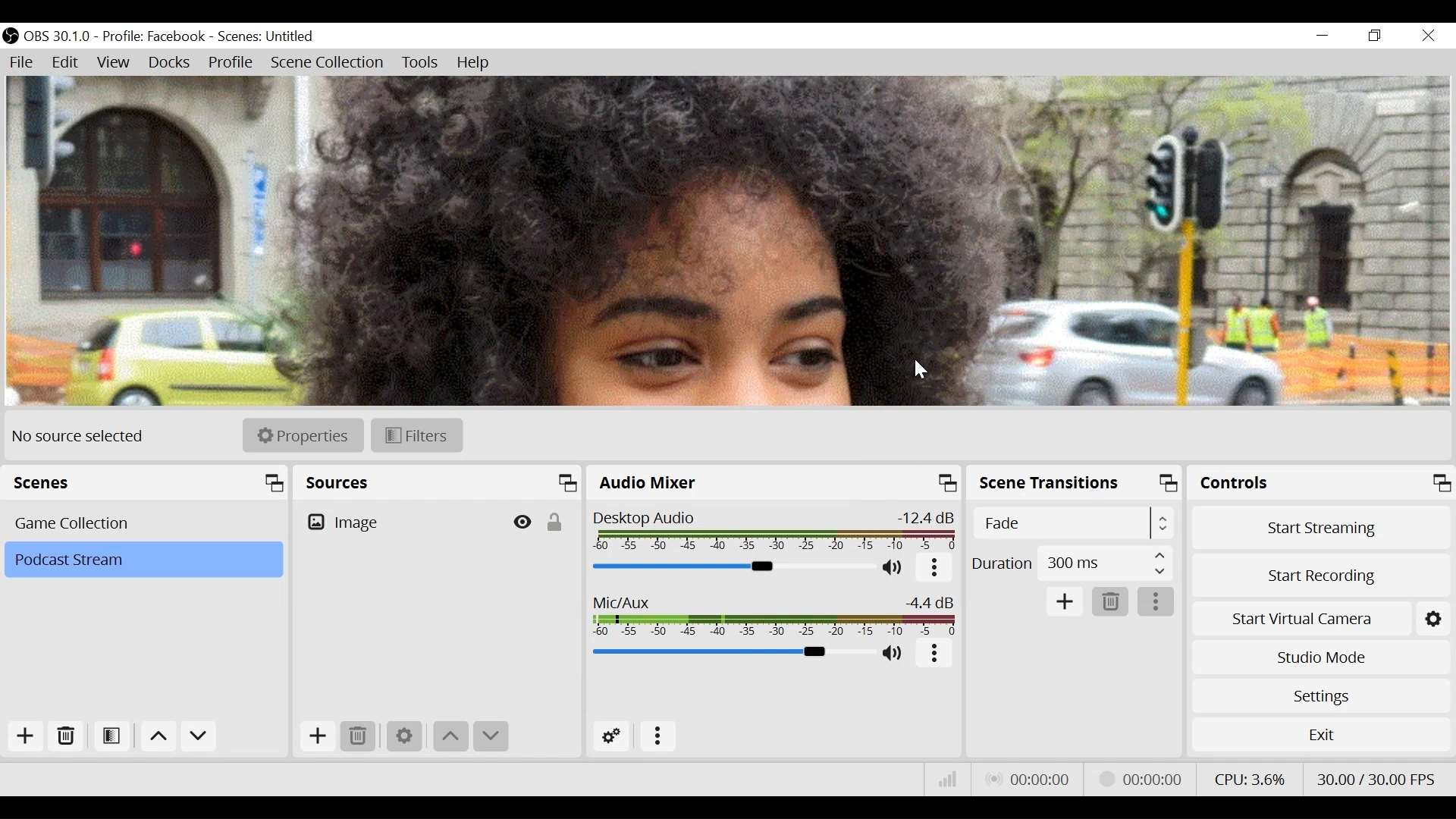 This screenshot has width=1456, height=819. I want to click on OBS Studio Desktop Icon, so click(10, 36).